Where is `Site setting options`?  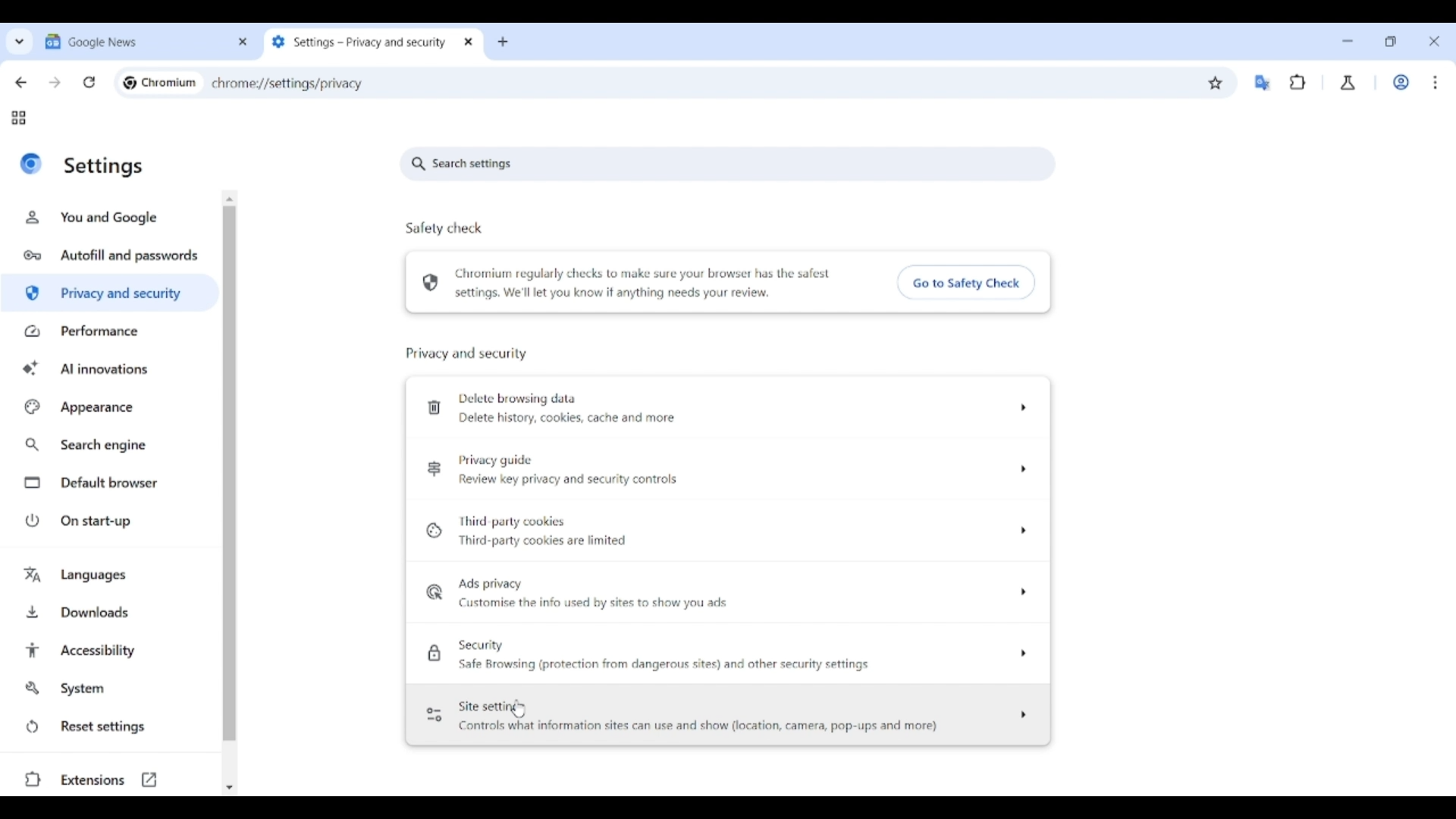 Site setting options is located at coordinates (727, 716).